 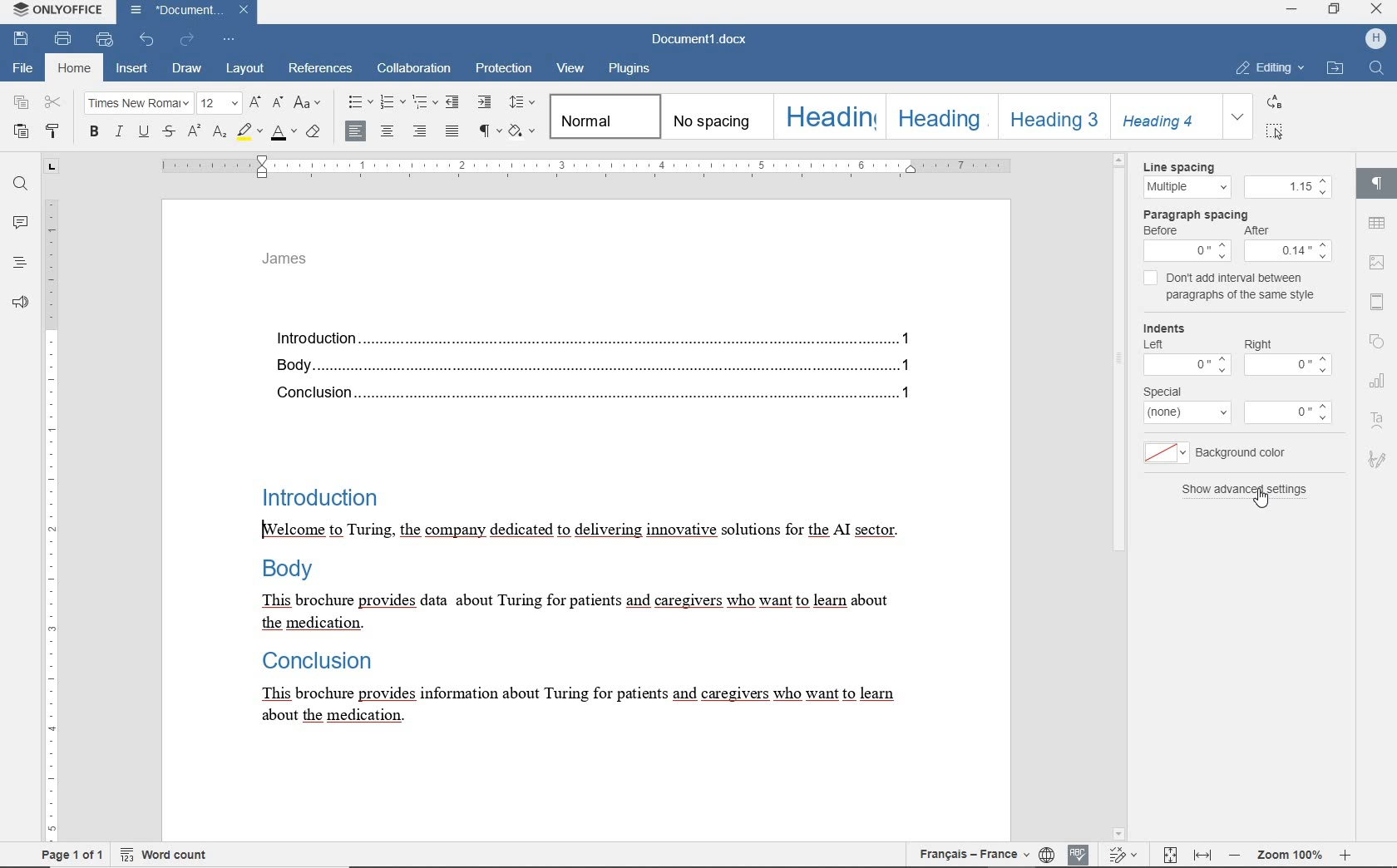 What do you see at coordinates (700, 40) in the screenshot?
I see `document name` at bounding box center [700, 40].